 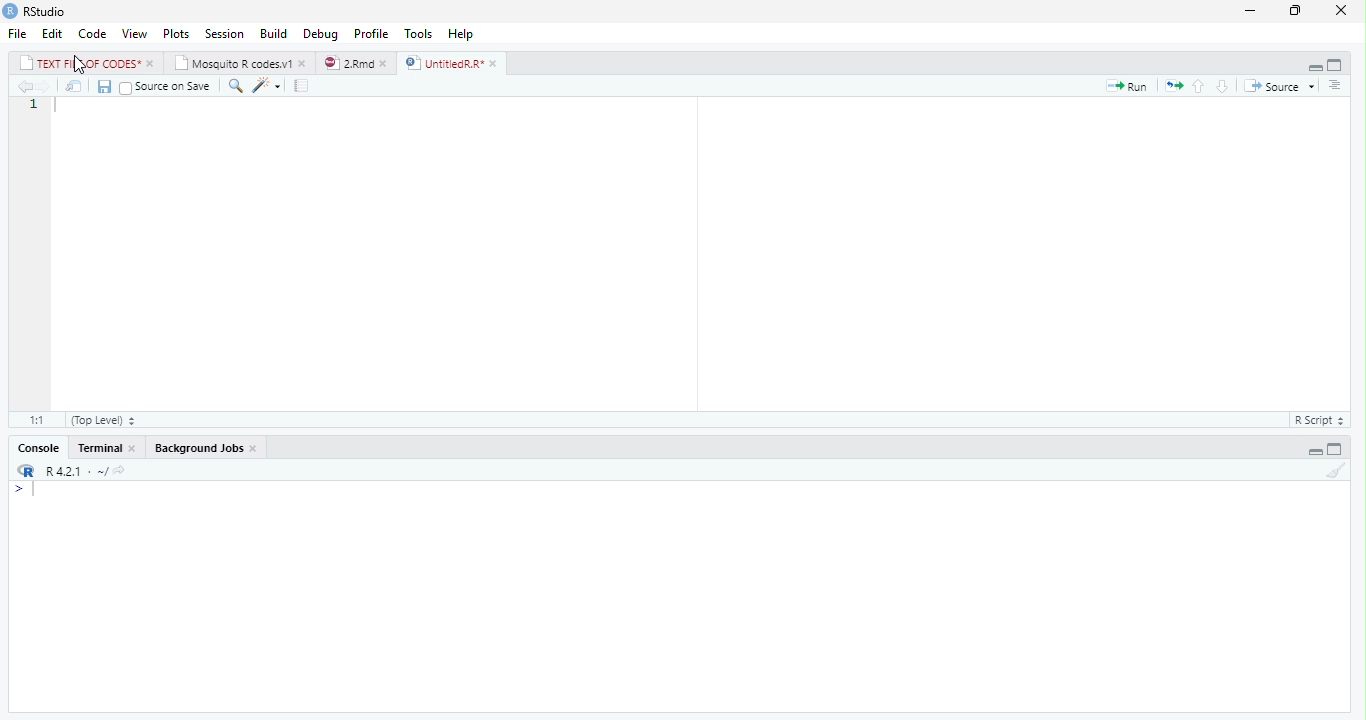 I want to click on Code editor, so click(x=377, y=254).